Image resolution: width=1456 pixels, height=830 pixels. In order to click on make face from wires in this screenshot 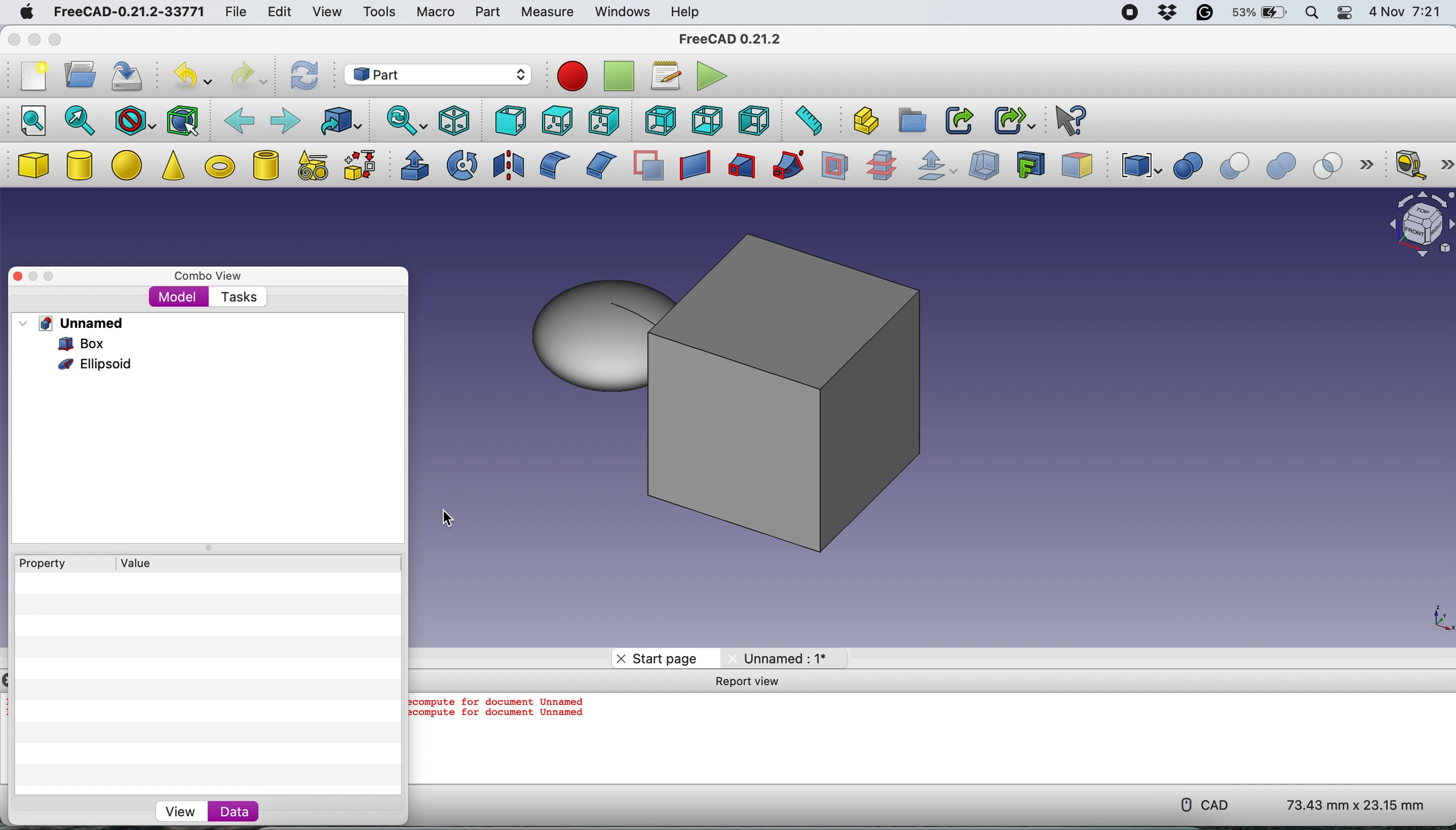, I will do `click(648, 165)`.